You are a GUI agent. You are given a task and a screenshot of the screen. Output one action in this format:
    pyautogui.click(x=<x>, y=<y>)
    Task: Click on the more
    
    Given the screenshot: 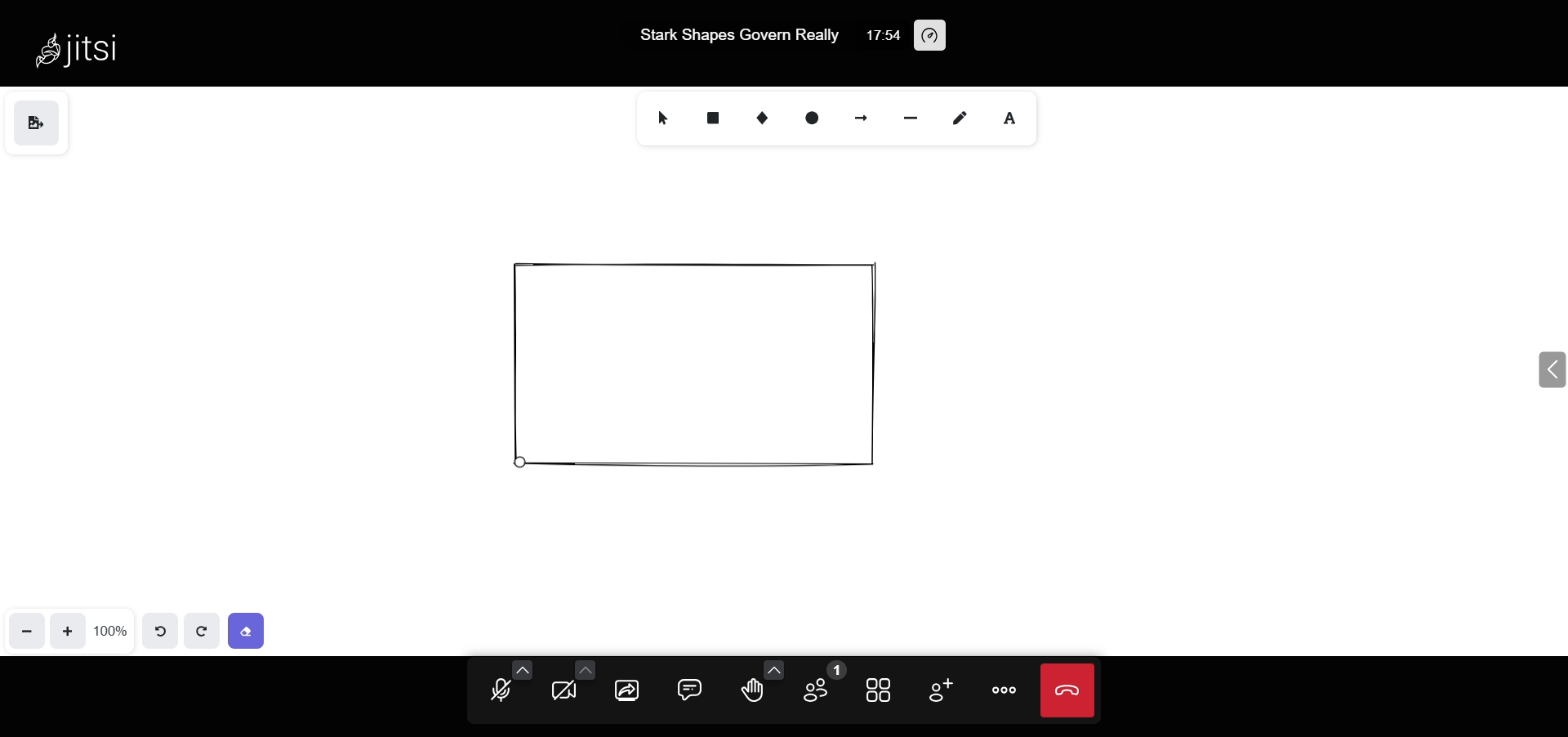 What is the action you would take?
    pyautogui.click(x=1006, y=689)
    